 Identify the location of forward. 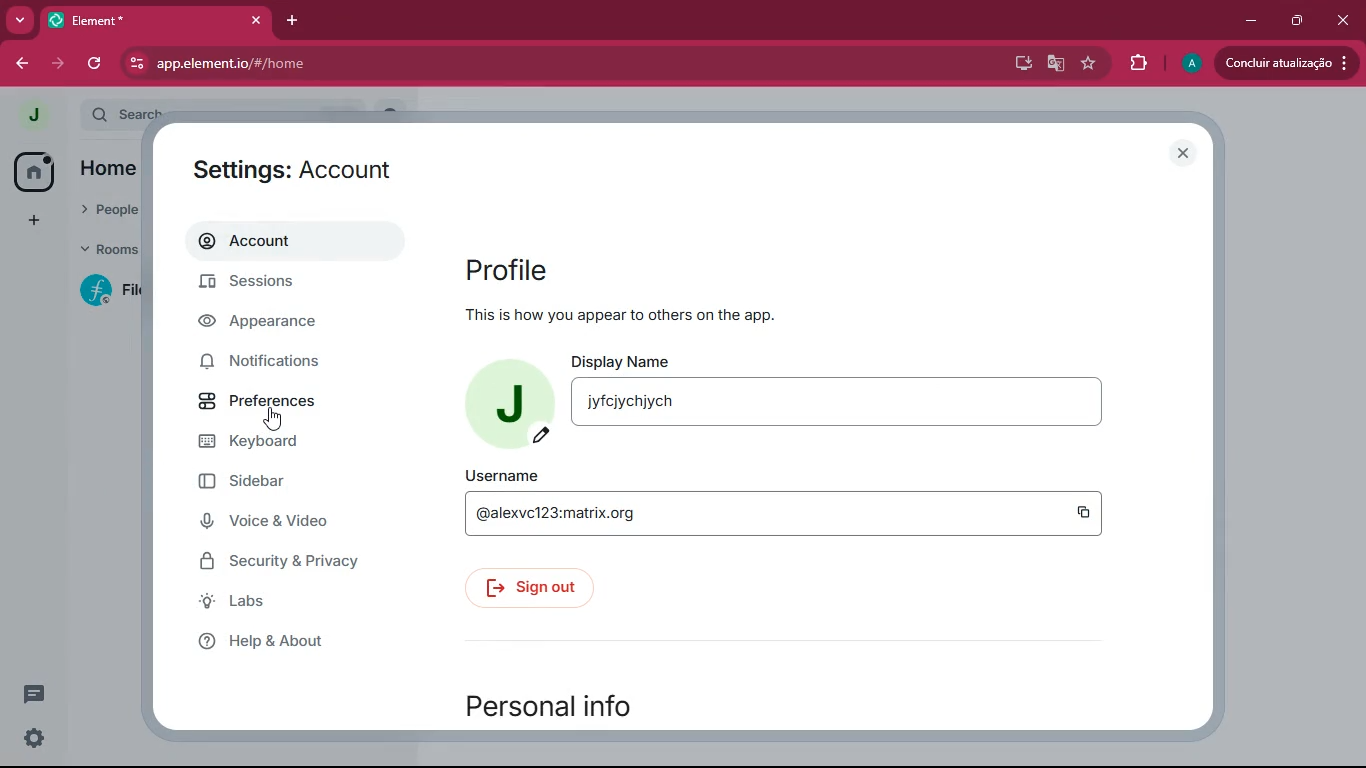
(62, 63).